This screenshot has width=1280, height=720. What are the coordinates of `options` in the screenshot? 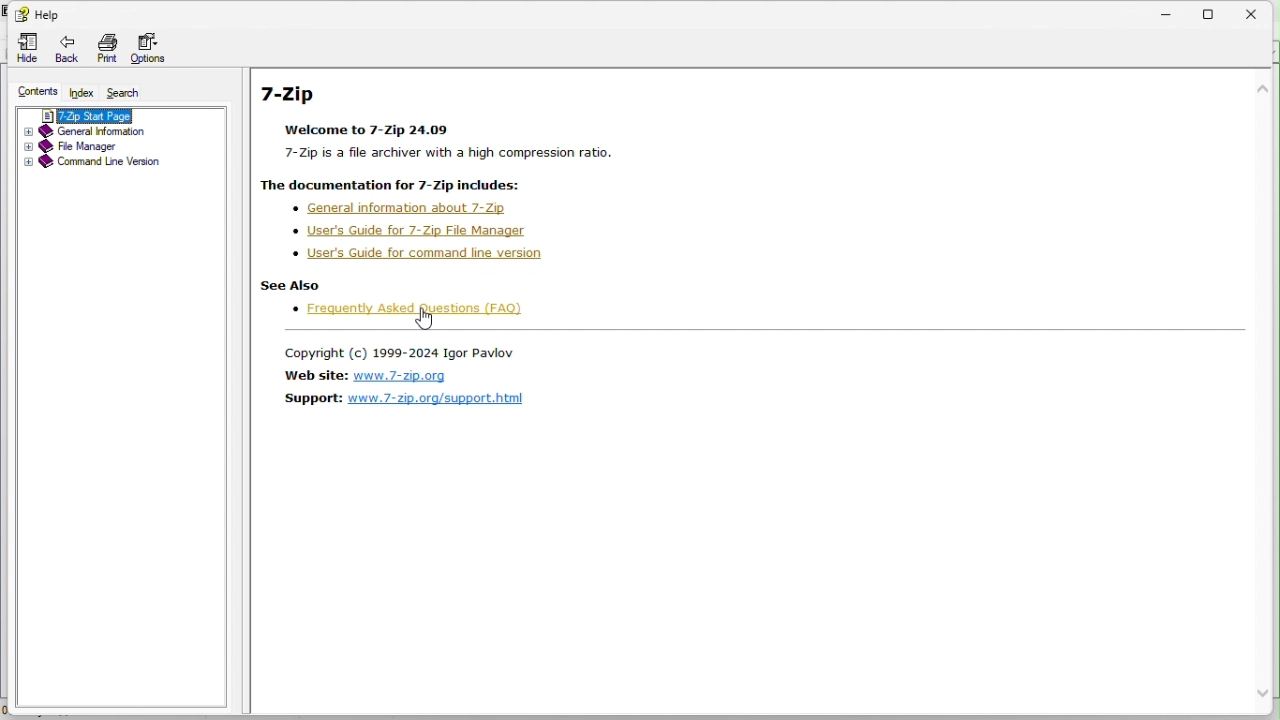 It's located at (152, 50).